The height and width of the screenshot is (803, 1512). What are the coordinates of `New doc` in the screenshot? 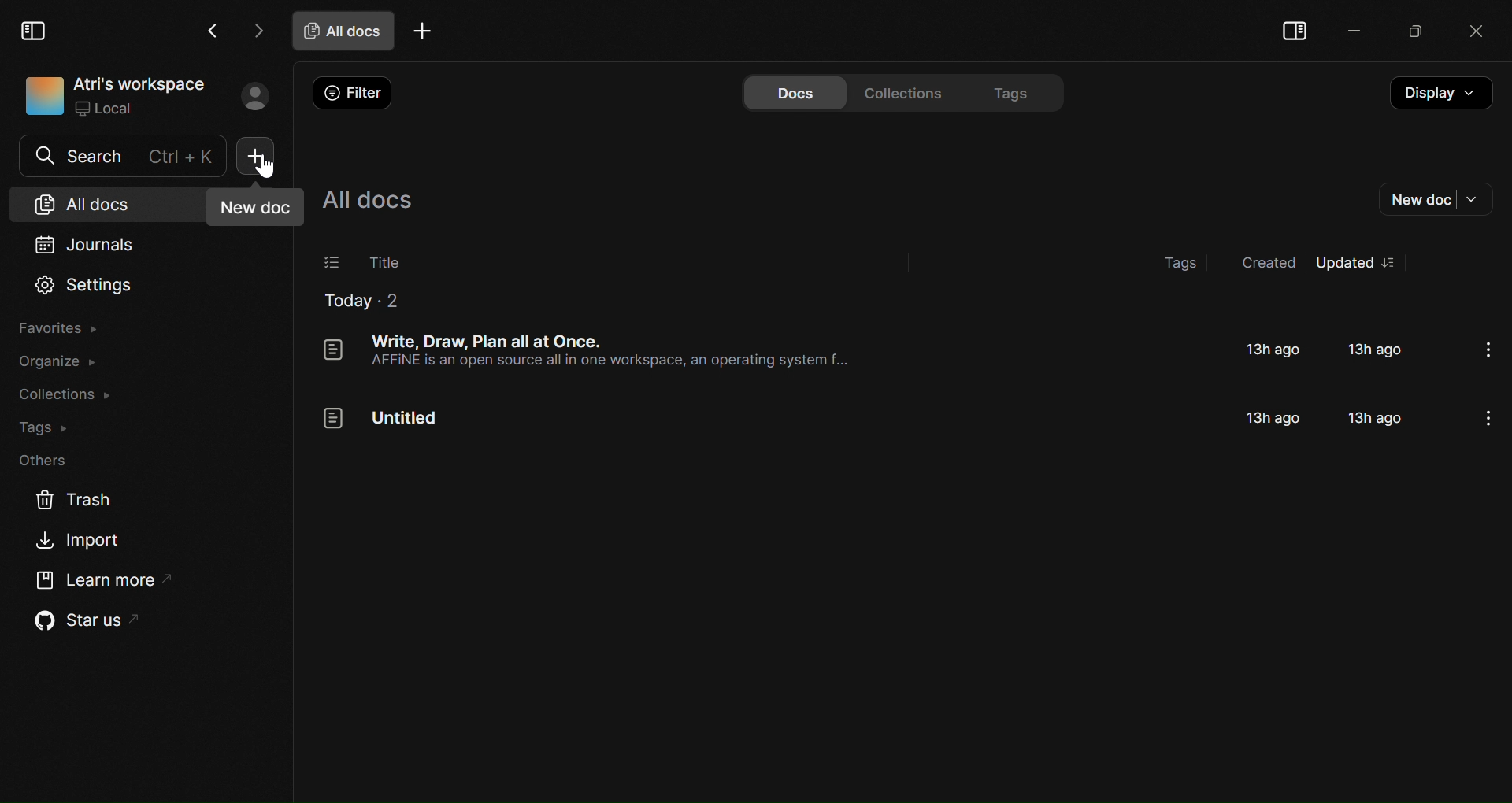 It's located at (263, 157).